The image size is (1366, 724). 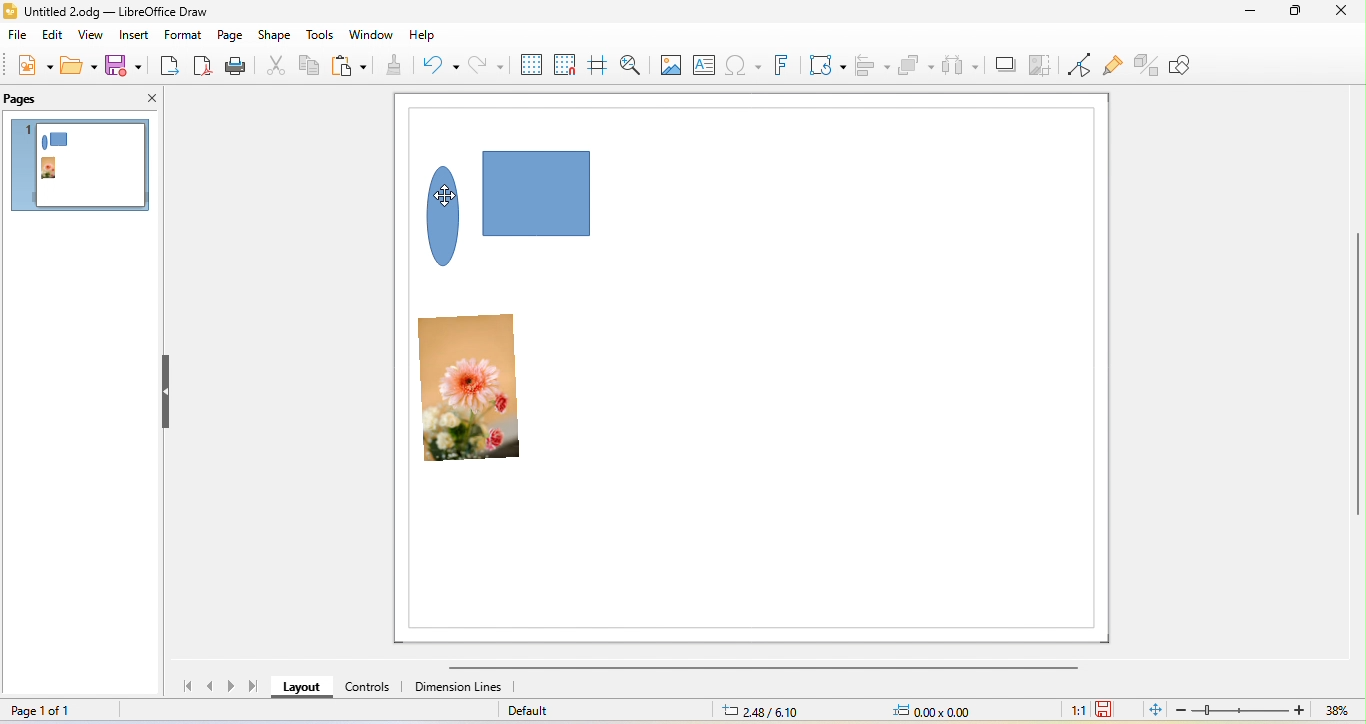 I want to click on horizontal scroll bar, so click(x=764, y=669).